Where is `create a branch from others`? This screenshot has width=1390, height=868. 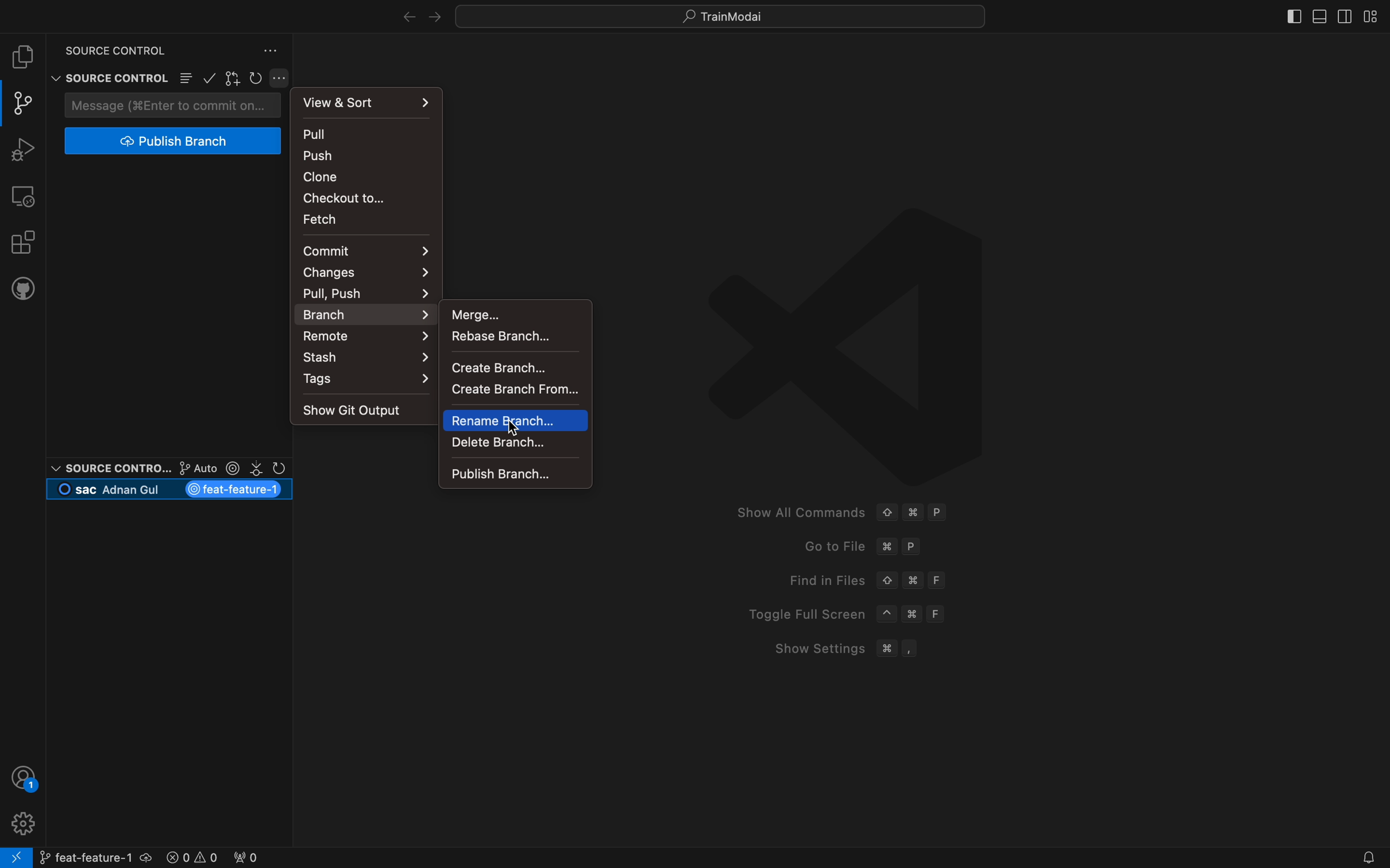 create a branch from others is located at coordinates (520, 390).